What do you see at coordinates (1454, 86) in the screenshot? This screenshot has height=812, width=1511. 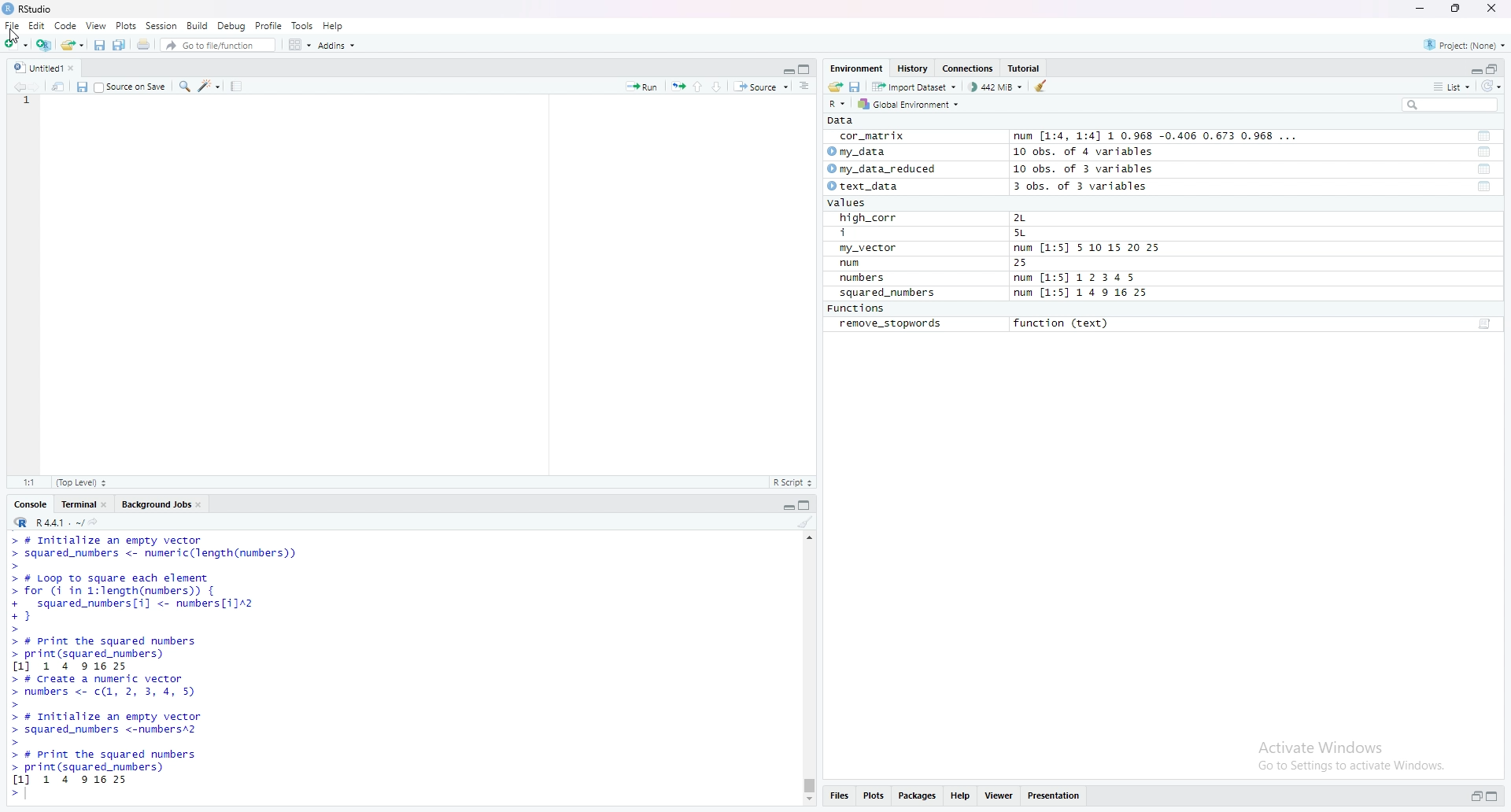 I see `List` at bounding box center [1454, 86].